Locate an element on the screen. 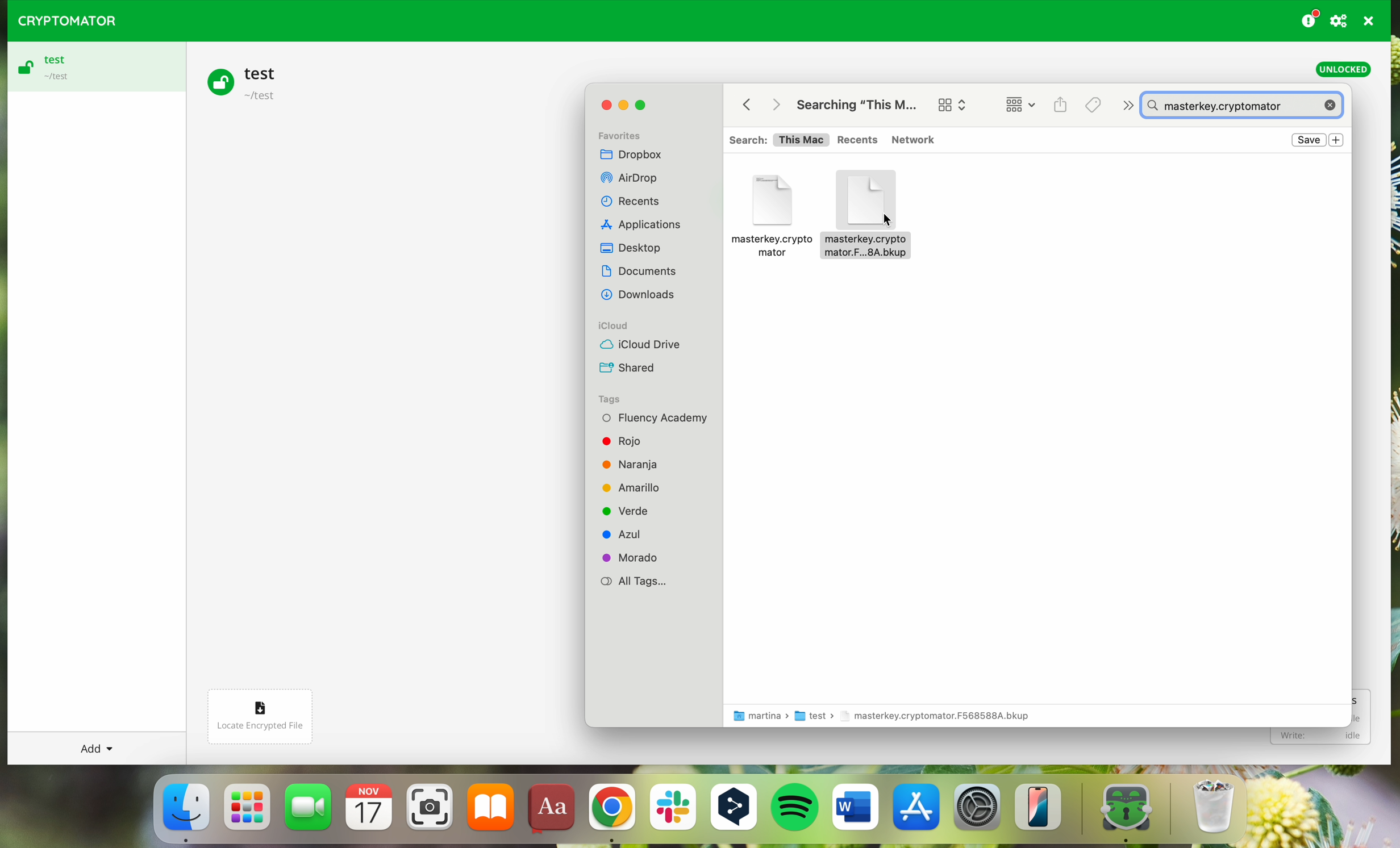  Slack is located at coordinates (672, 812).